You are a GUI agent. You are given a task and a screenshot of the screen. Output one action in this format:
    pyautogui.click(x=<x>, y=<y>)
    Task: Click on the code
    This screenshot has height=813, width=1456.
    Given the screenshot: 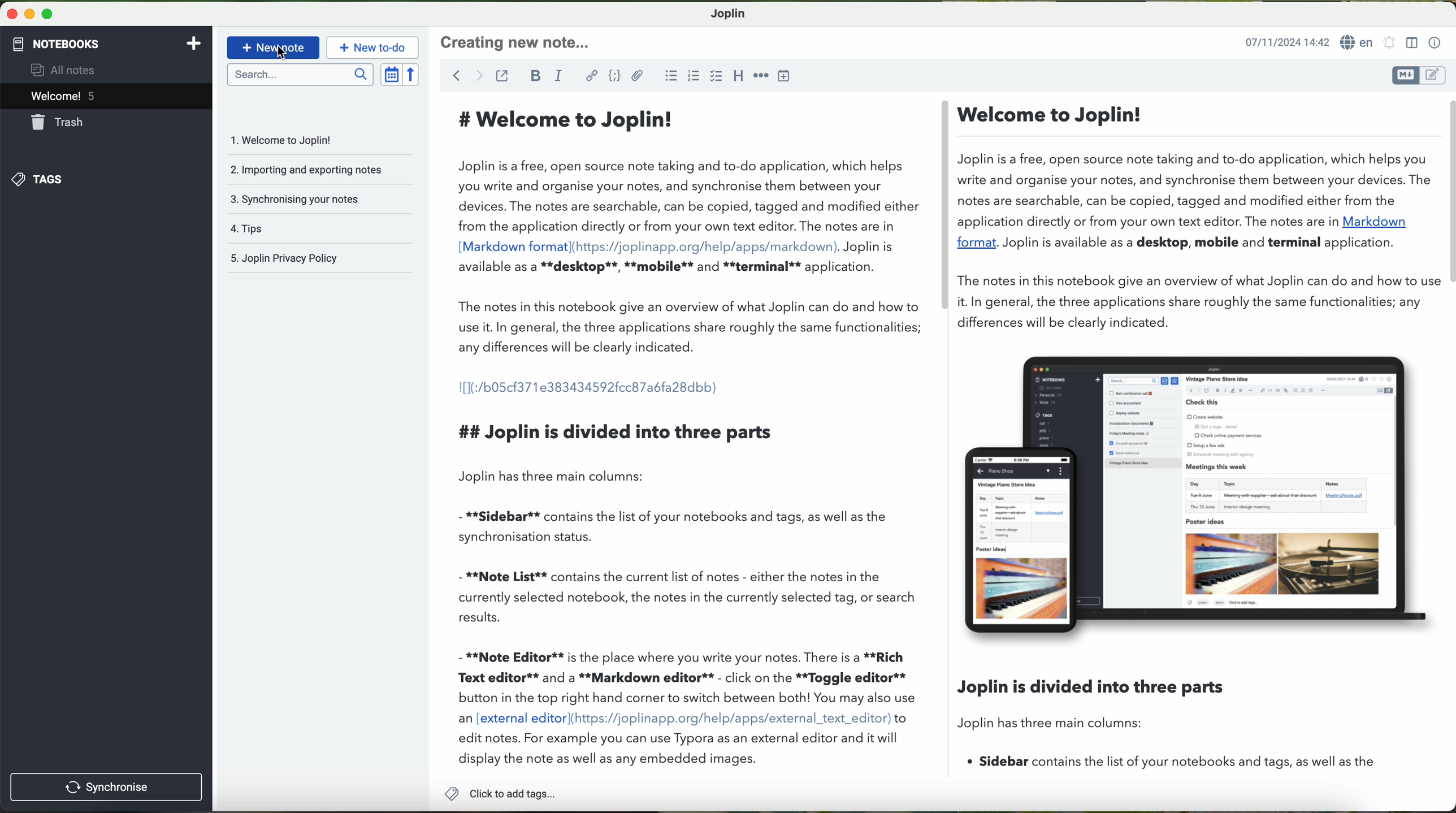 What is the action you would take?
    pyautogui.click(x=616, y=77)
    